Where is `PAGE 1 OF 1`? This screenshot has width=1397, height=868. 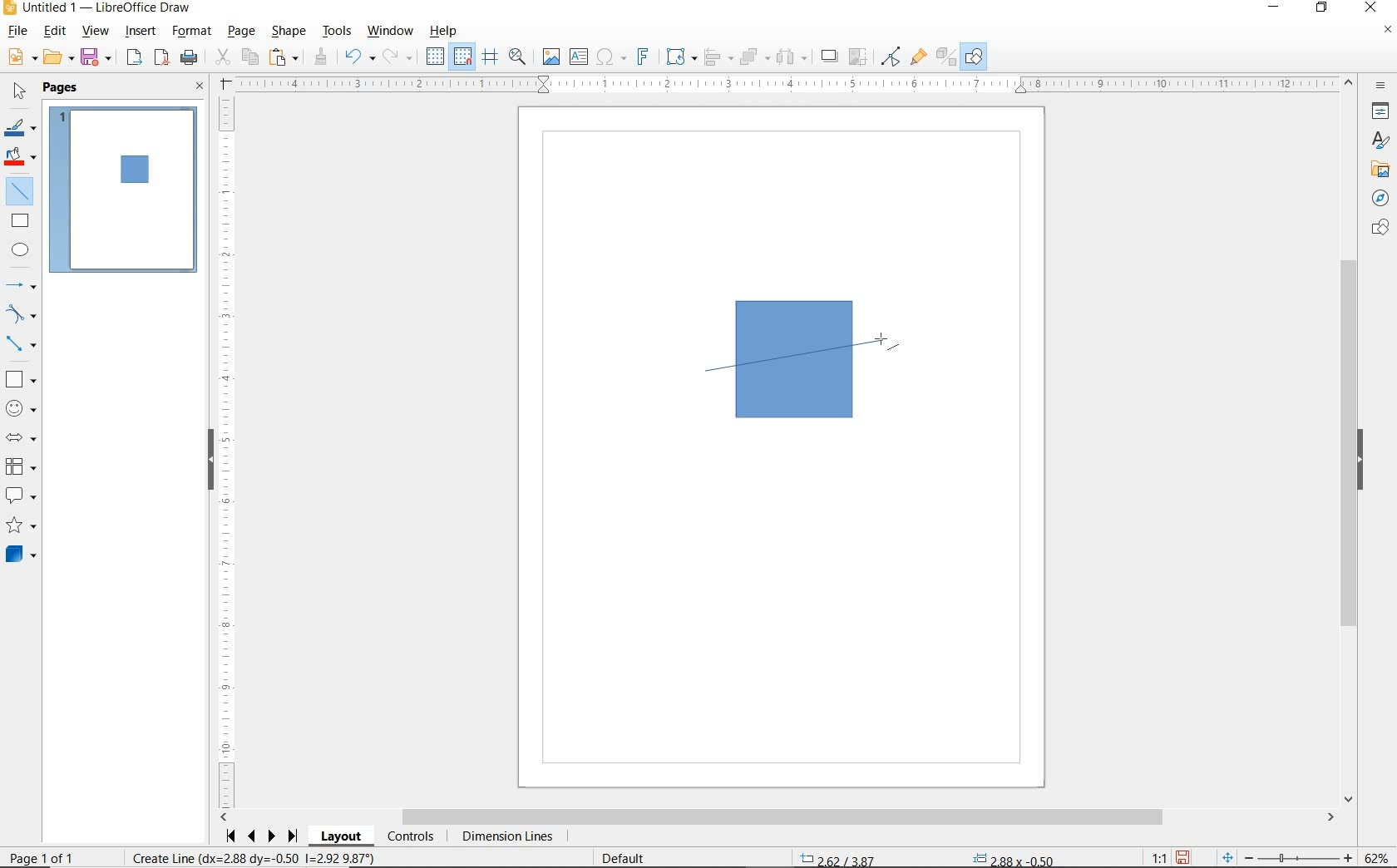
PAGE 1 OF 1 is located at coordinates (60, 860).